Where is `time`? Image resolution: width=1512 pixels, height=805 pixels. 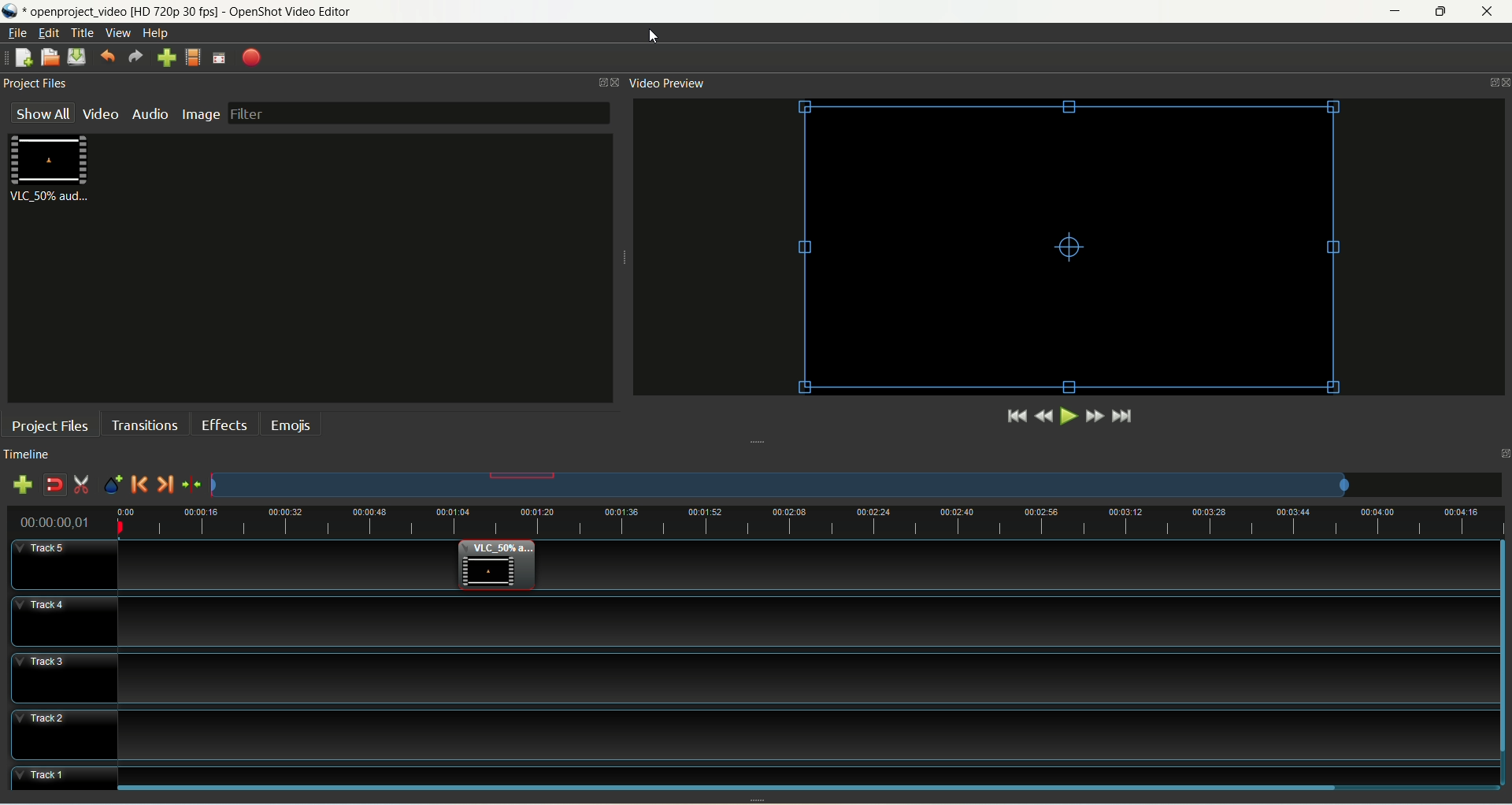
time is located at coordinates (62, 520).